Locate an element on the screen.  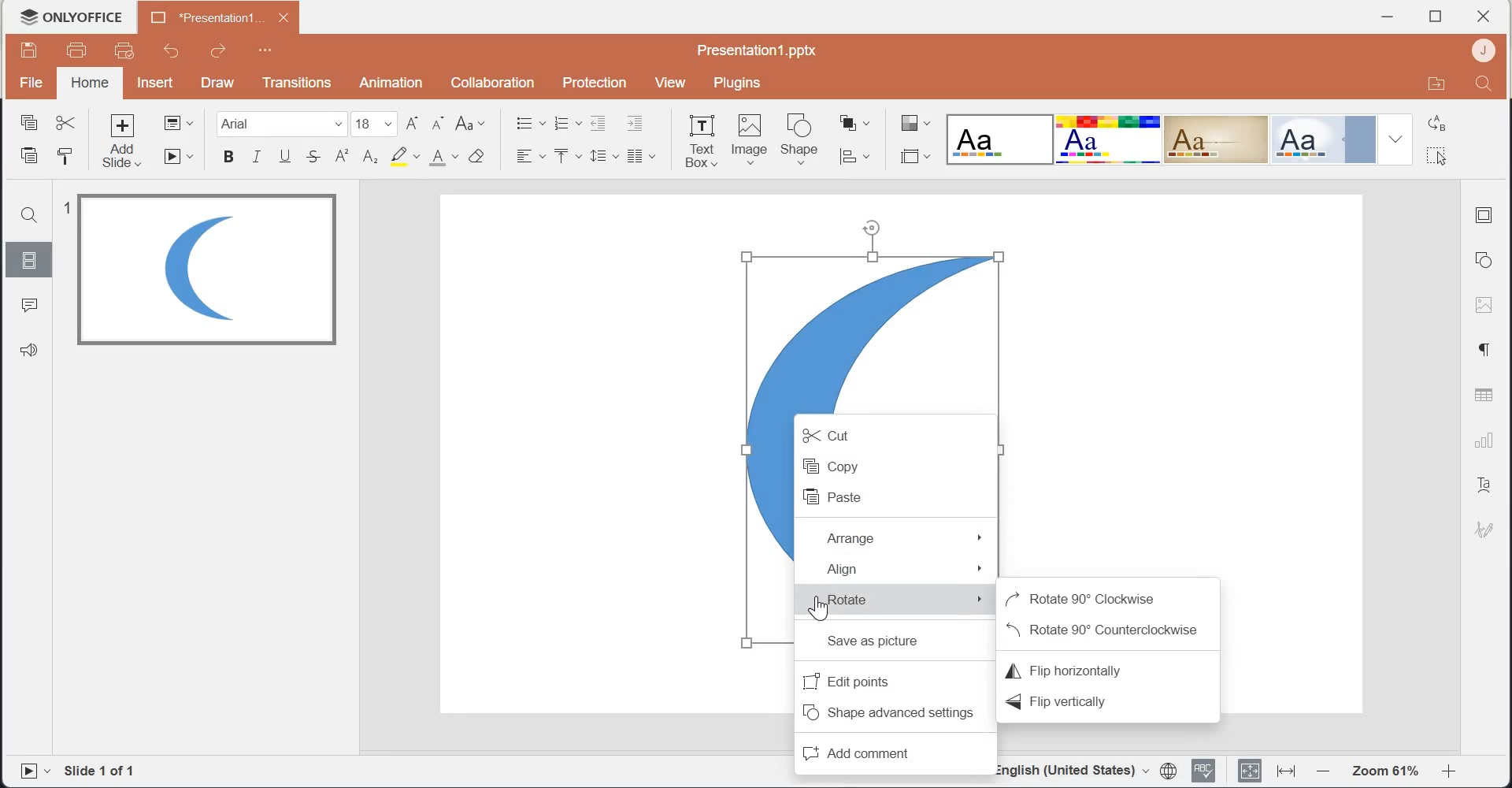
Plugins is located at coordinates (735, 84).